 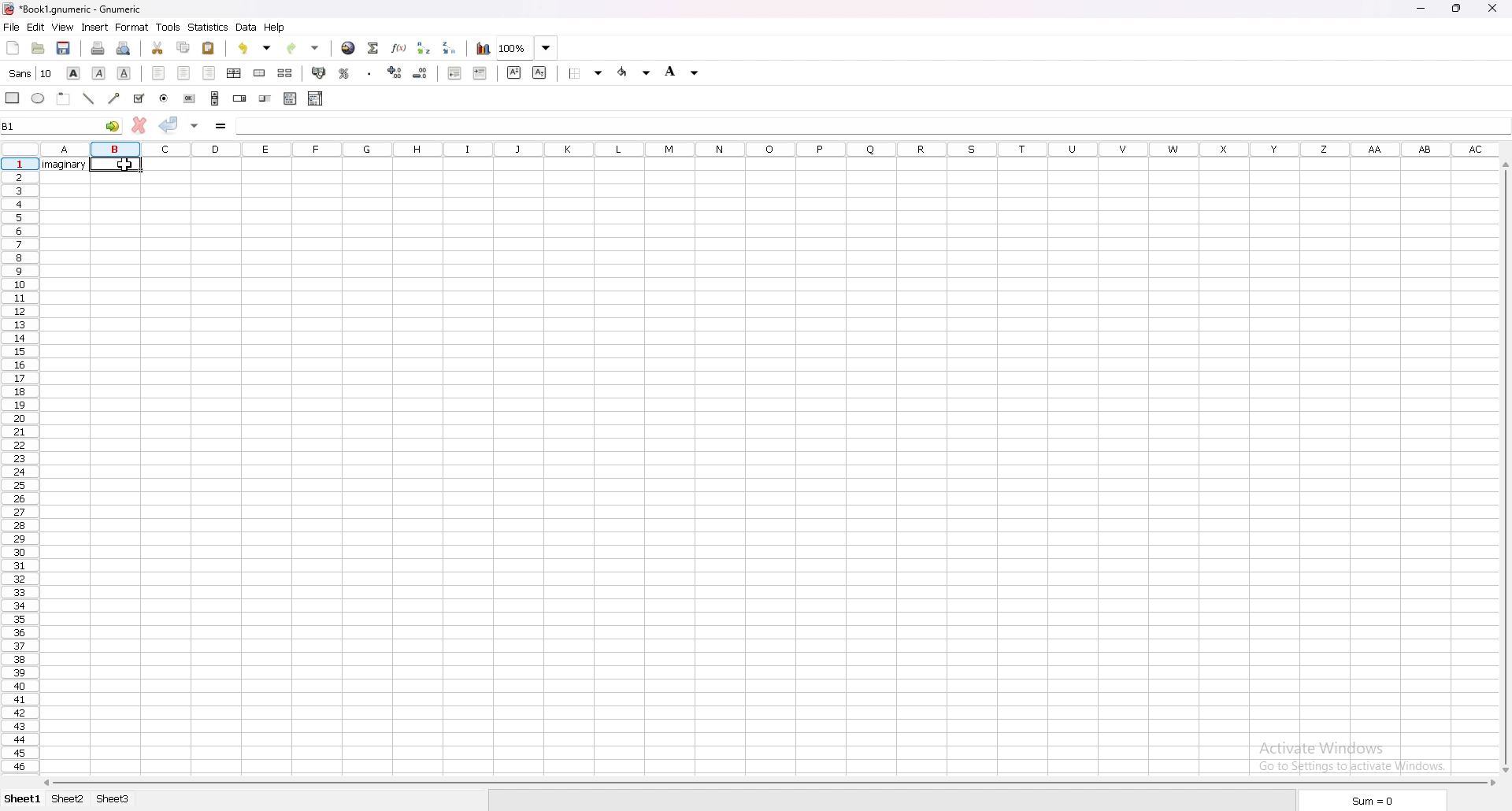 What do you see at coordinates (256, 47) in the screenshot?
I see `unod` at bounding box center [256, 47].